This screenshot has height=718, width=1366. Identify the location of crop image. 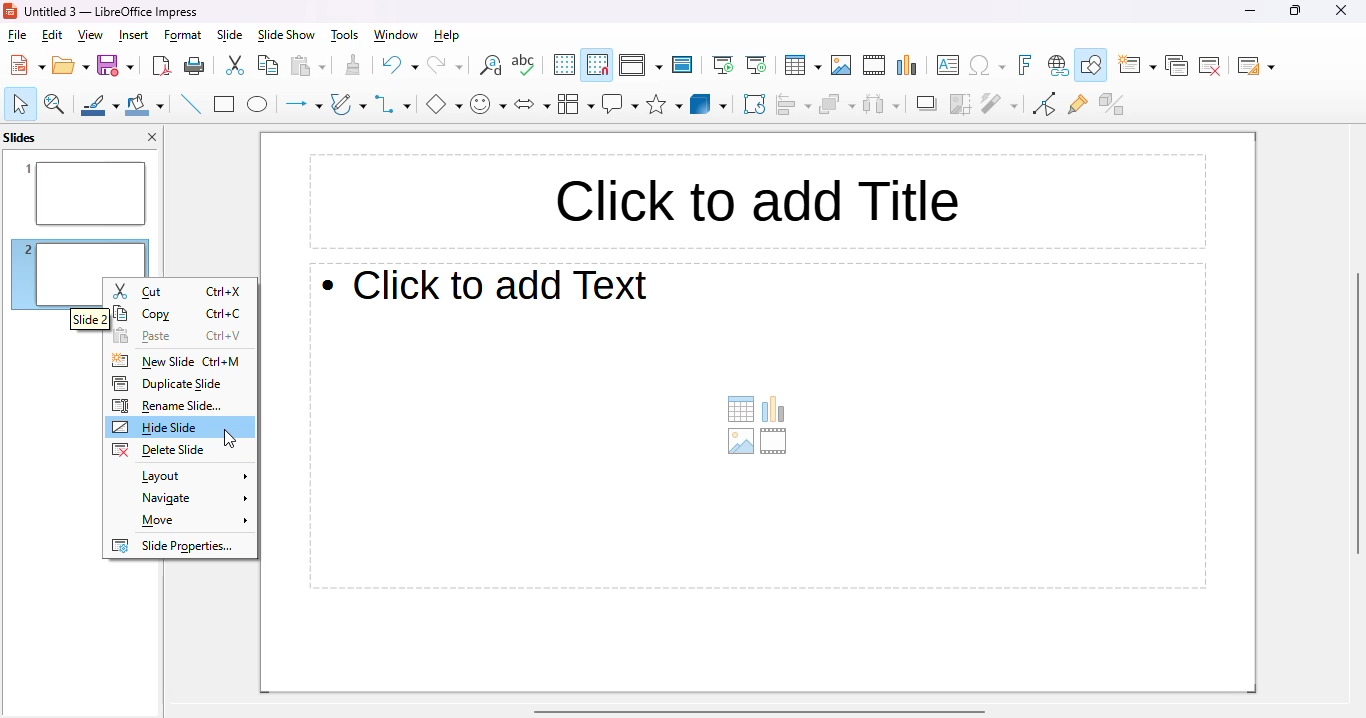
(960, 104).